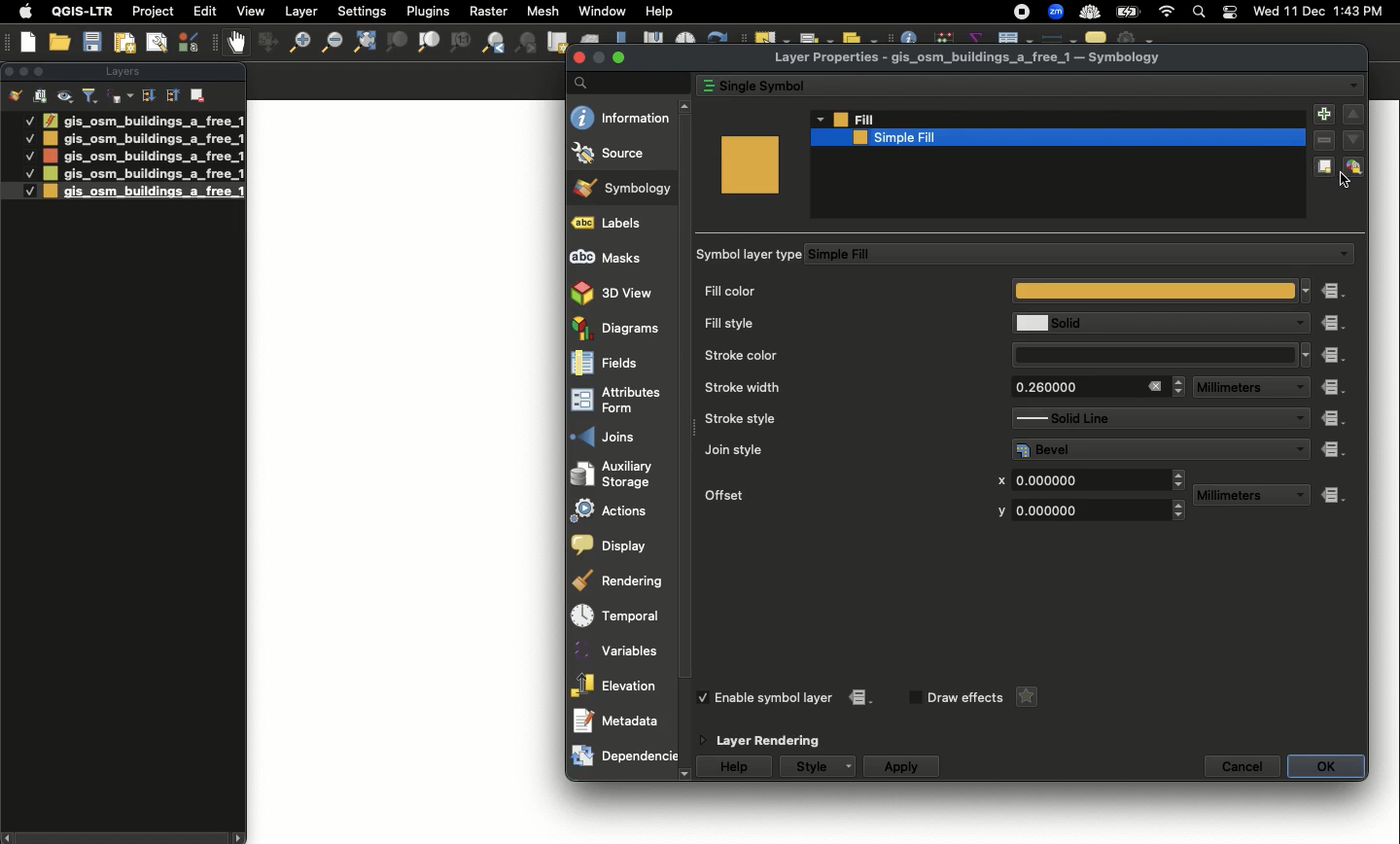  Describe the element at coordinates (143, 156) in the screenshot. I see `gis_osm_buildings_a_free_1` at that location.